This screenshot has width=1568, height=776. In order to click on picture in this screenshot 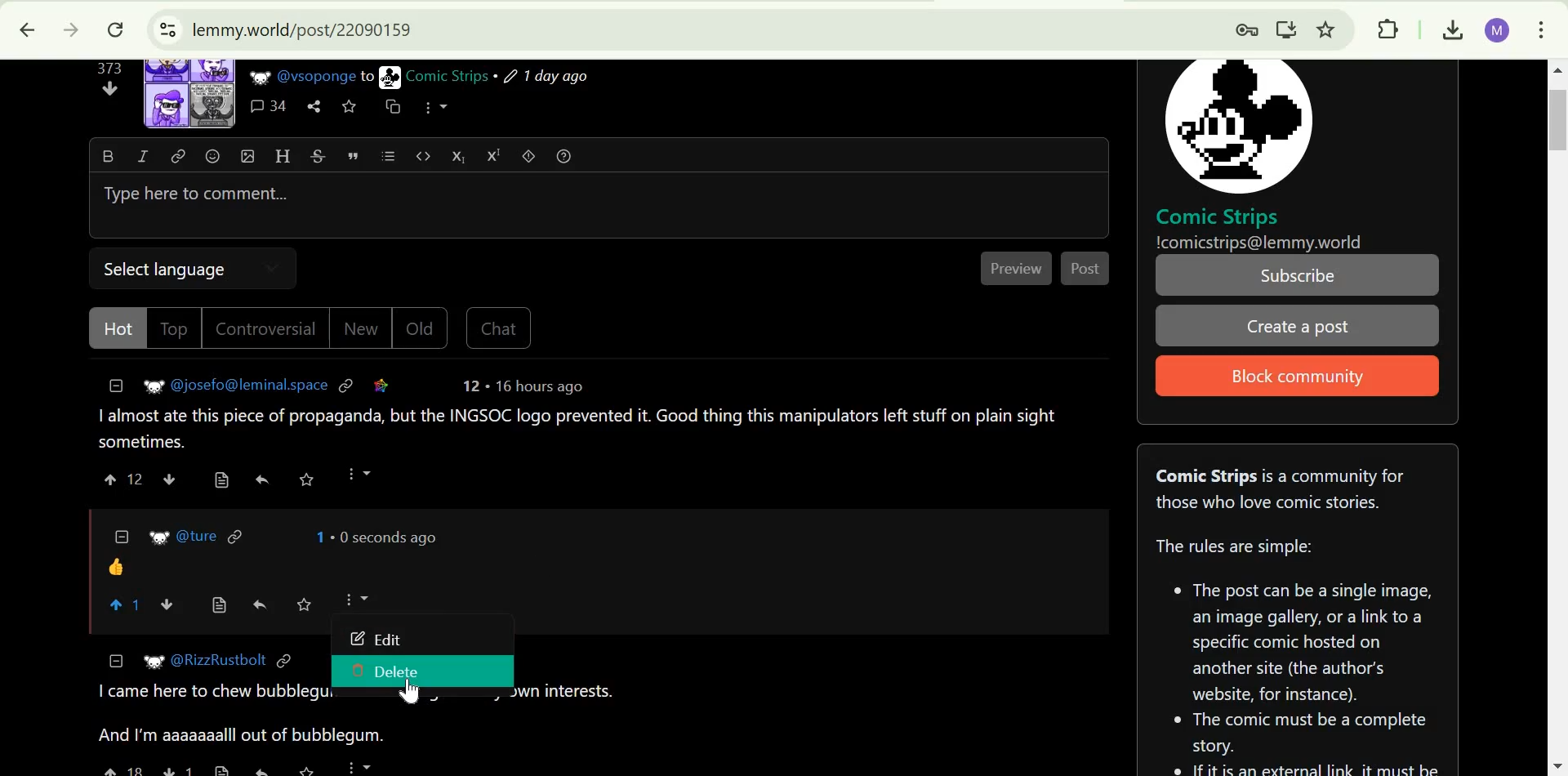, I will do `click(147, 388)`.